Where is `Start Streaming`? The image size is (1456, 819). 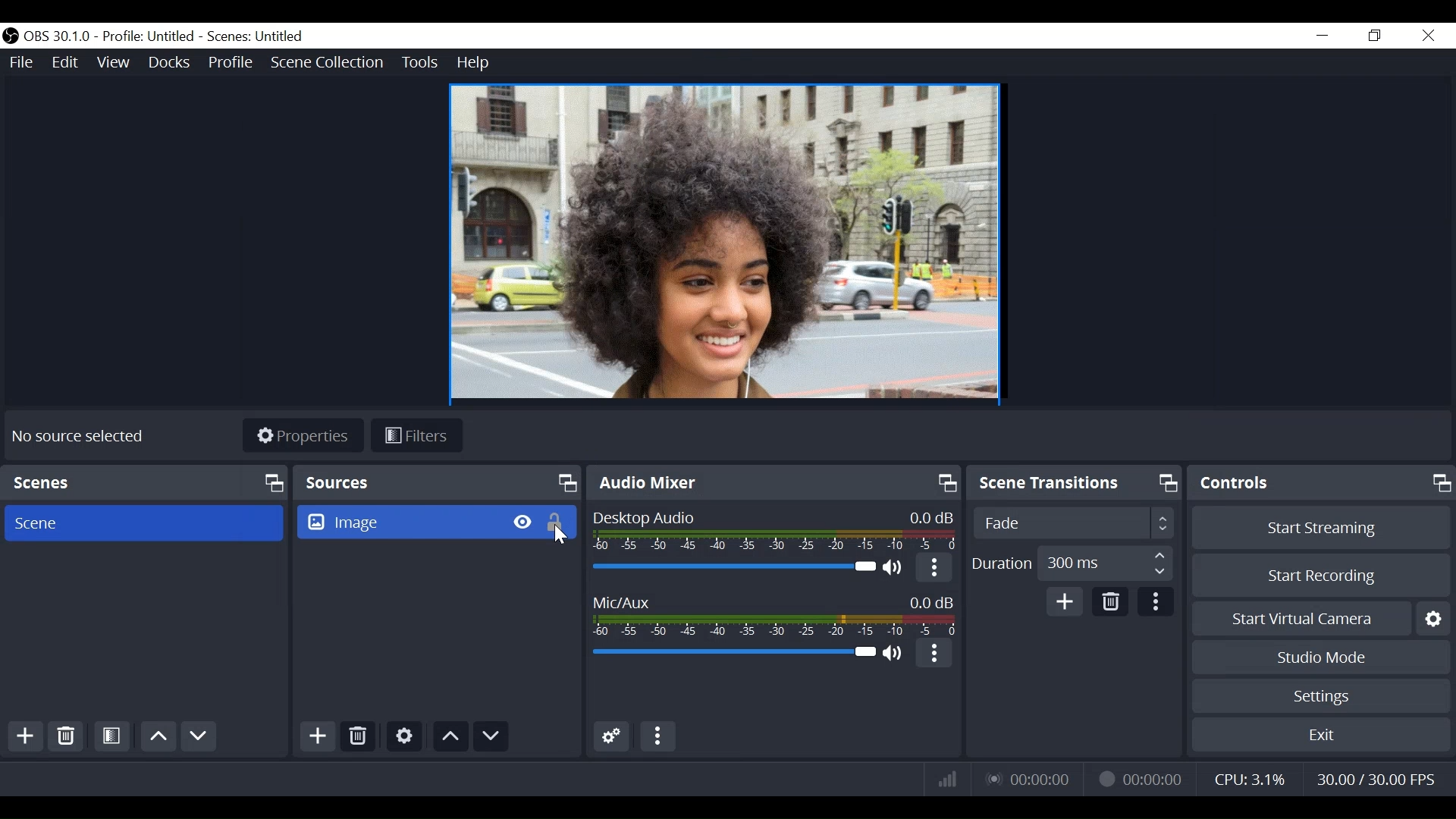 Start Streaming is located at coordinates (1321, 529).